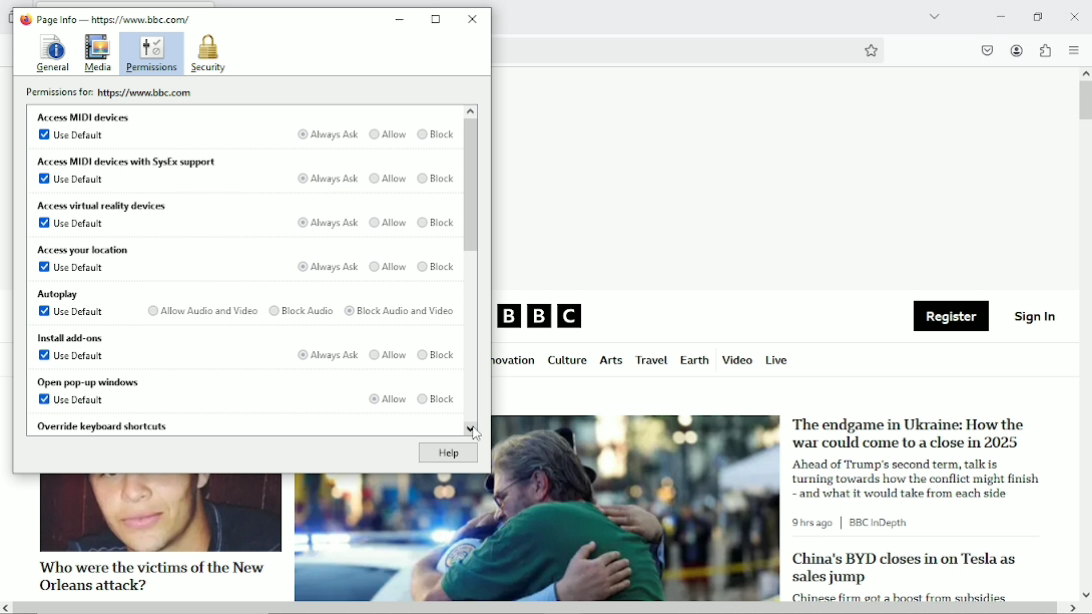  I want to click on Culture, so click(567, 361).